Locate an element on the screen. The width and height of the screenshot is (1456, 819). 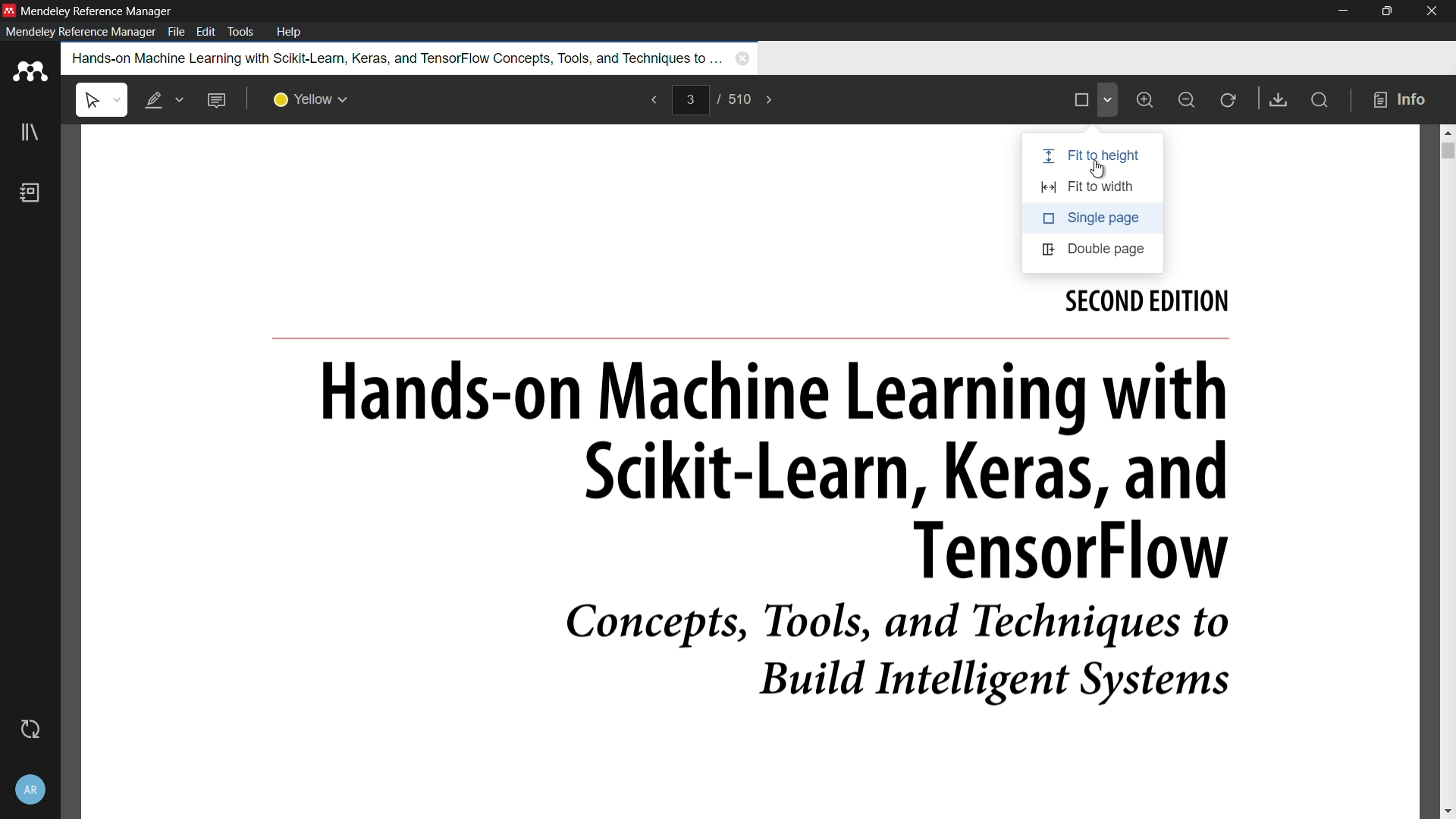
current page is located at coordinates (690, 99).